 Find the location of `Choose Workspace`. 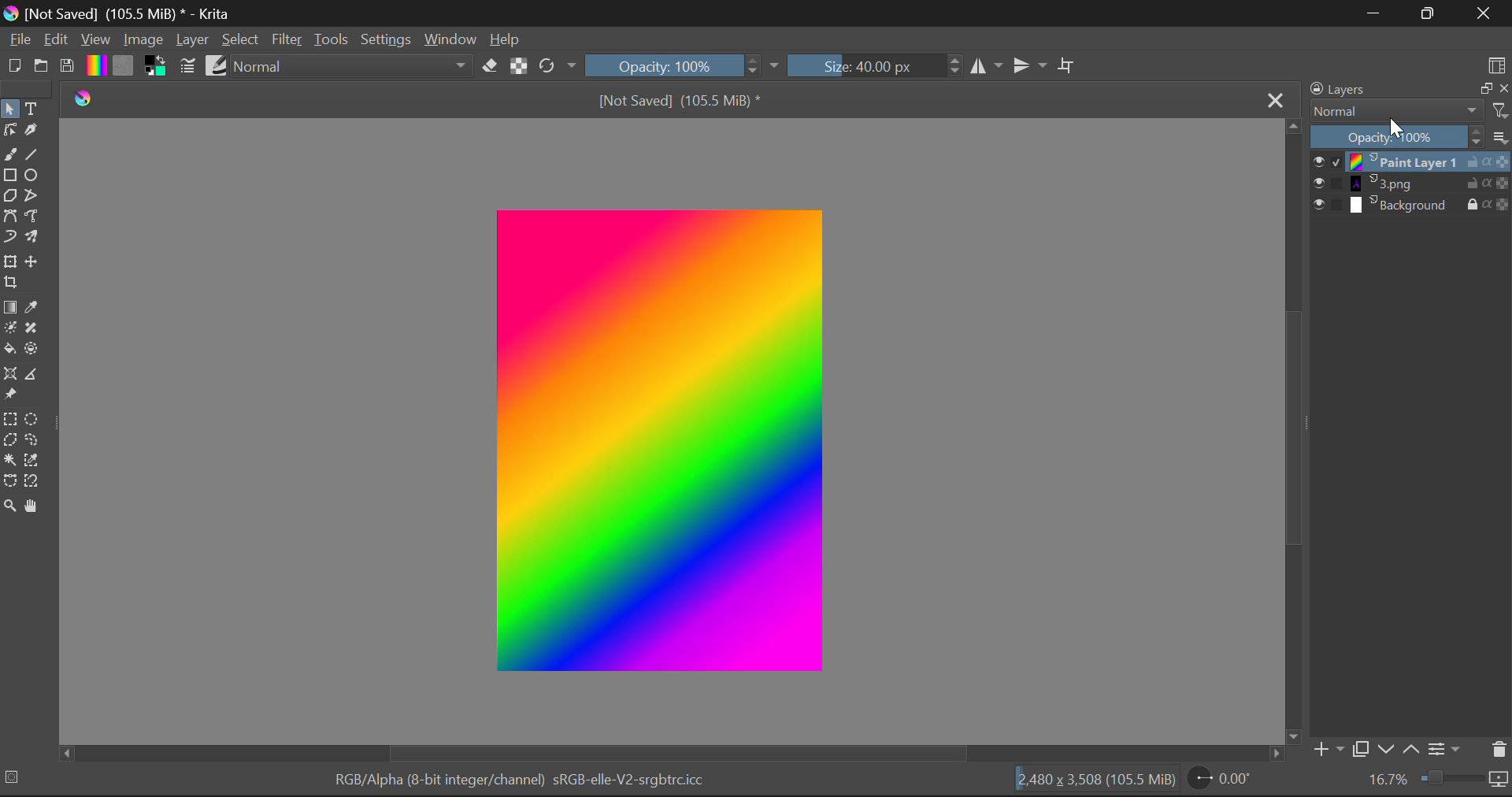

Choose Workspace is located at coordinates (1497, 66).